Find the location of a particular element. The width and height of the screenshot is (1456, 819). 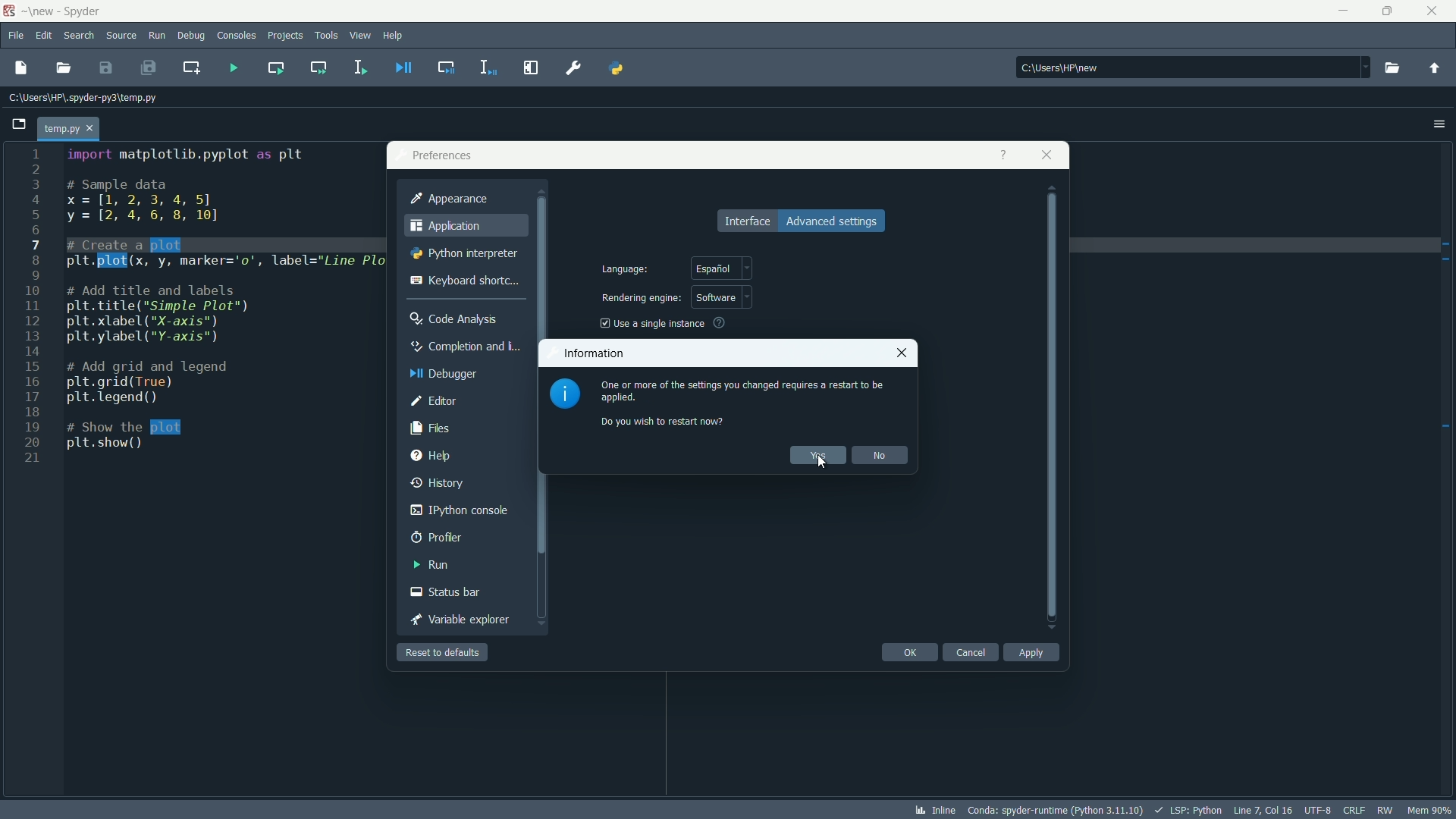

spanish language selected is located at coordinates (722, 268).